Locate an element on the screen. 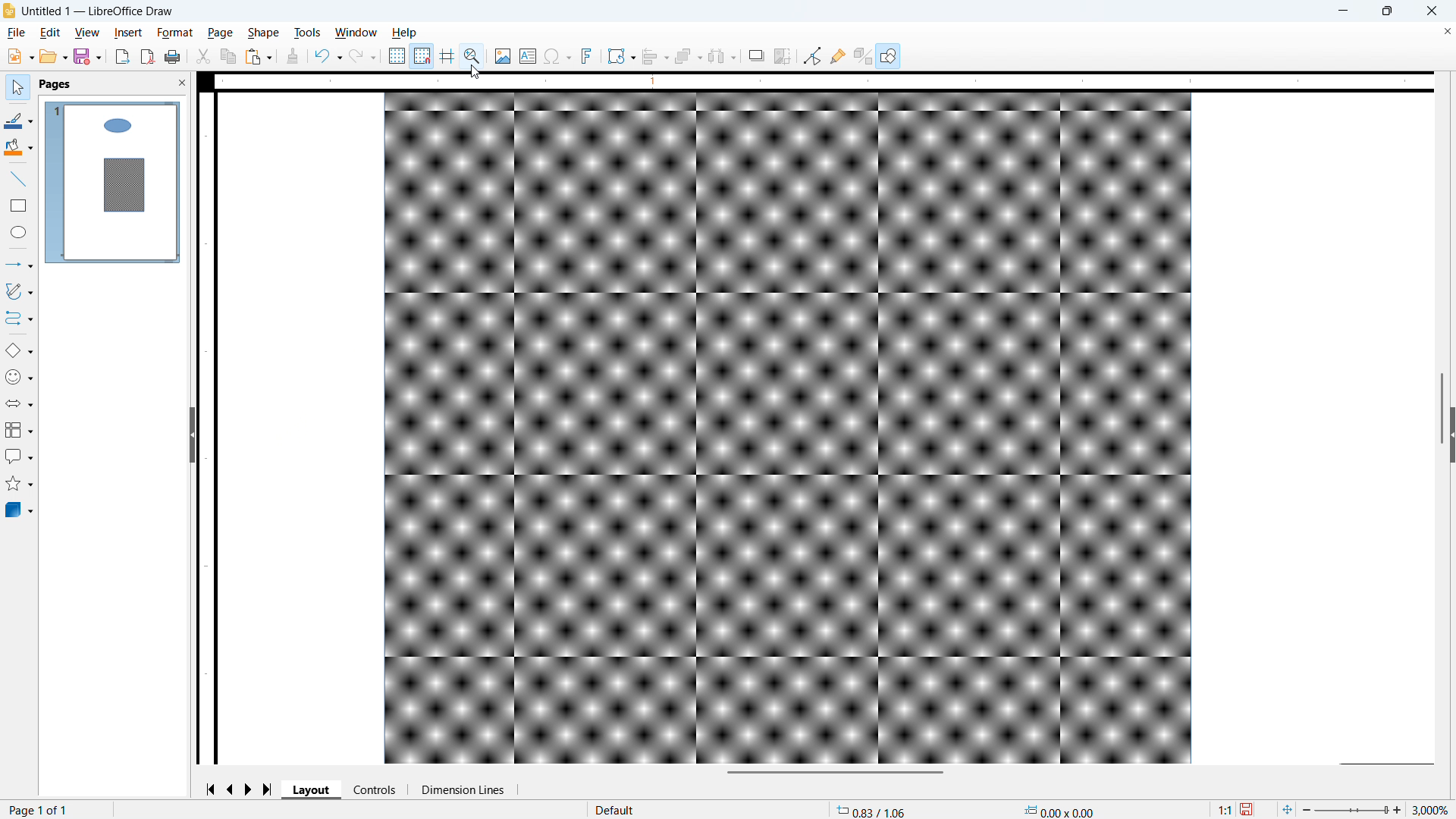 This screenshot has height=819, width=1456. Background colour  is located at coordinates (18, 147).